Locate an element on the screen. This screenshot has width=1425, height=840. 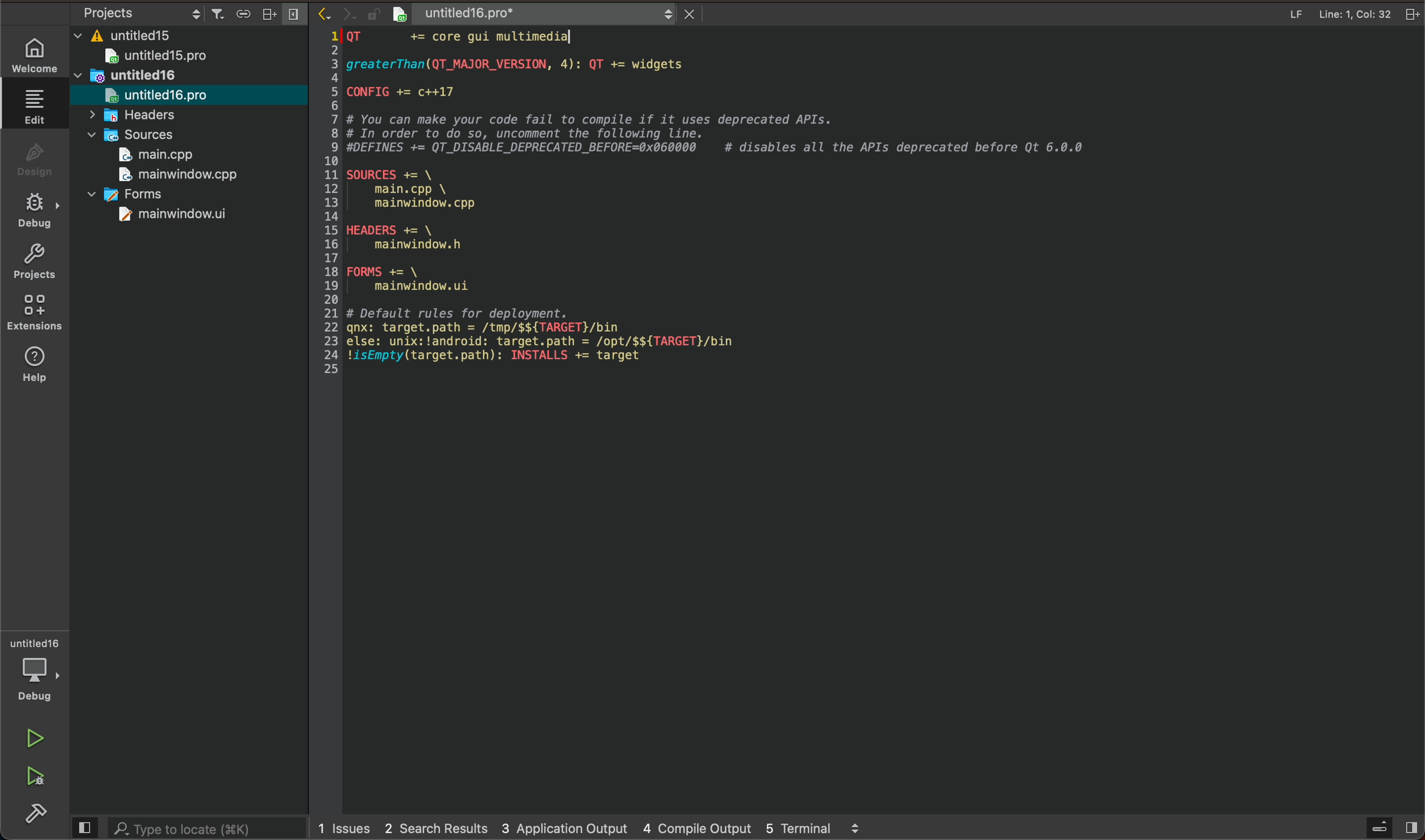
welcome is located at coordinates (38, 53).